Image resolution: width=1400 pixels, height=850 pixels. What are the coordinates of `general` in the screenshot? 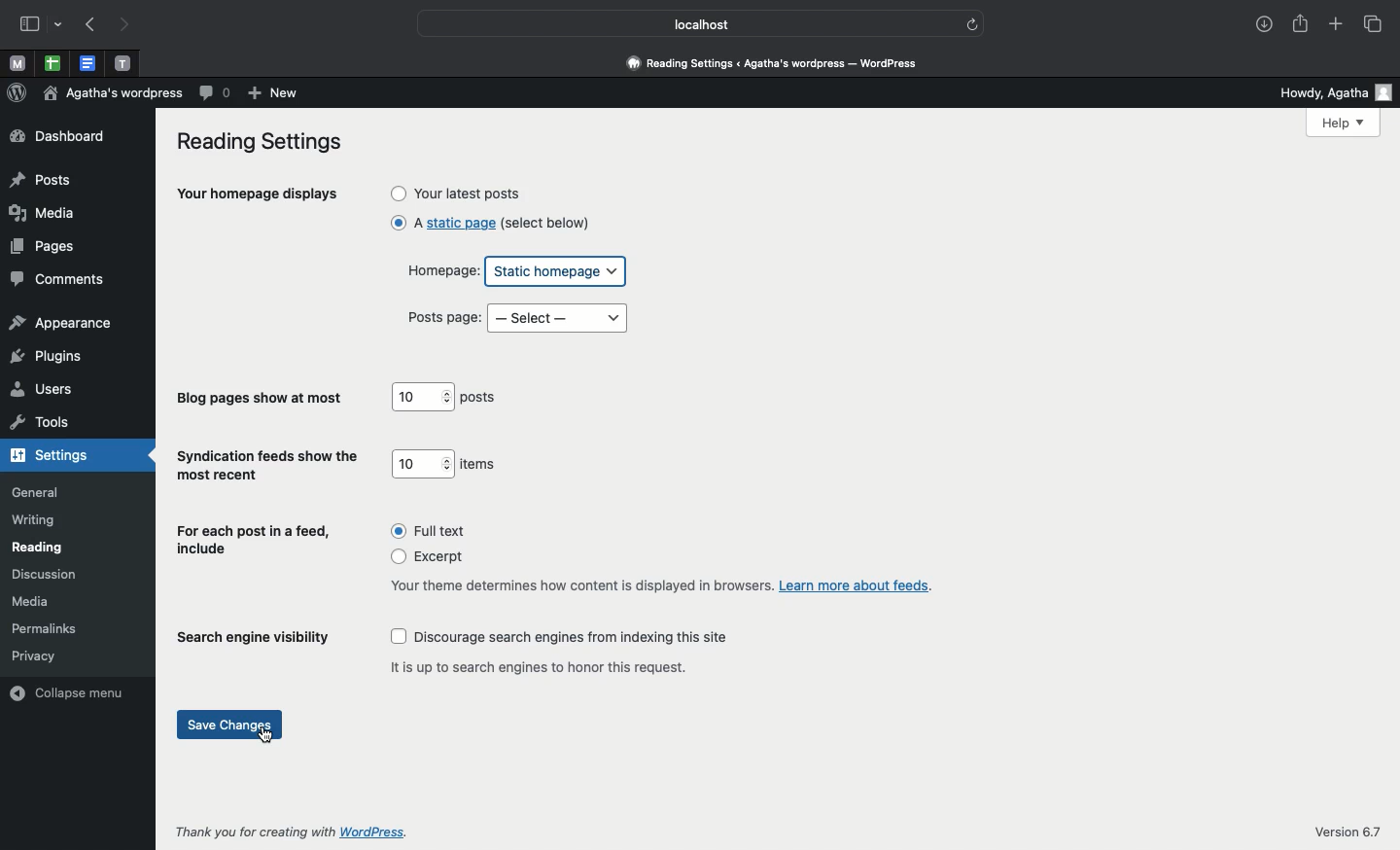 It's located at (36, 492).